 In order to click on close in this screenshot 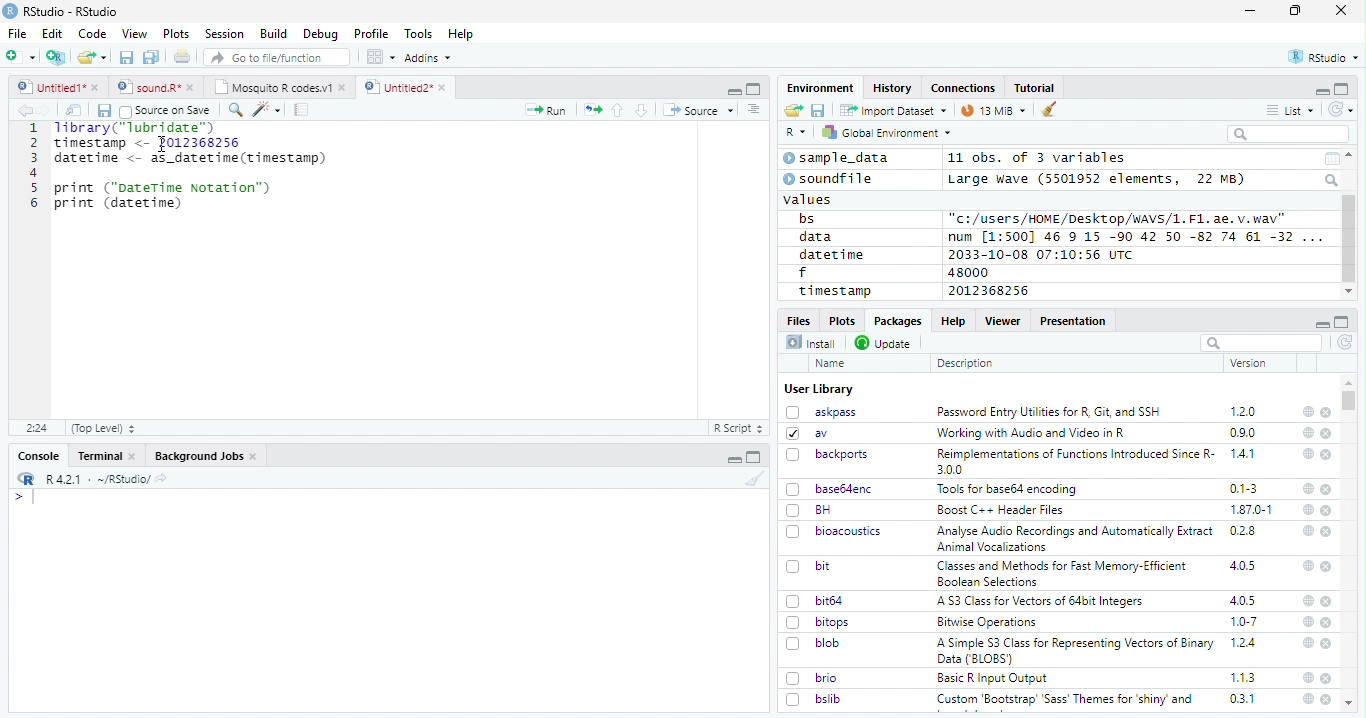, I will do `click(1328, 644)`.